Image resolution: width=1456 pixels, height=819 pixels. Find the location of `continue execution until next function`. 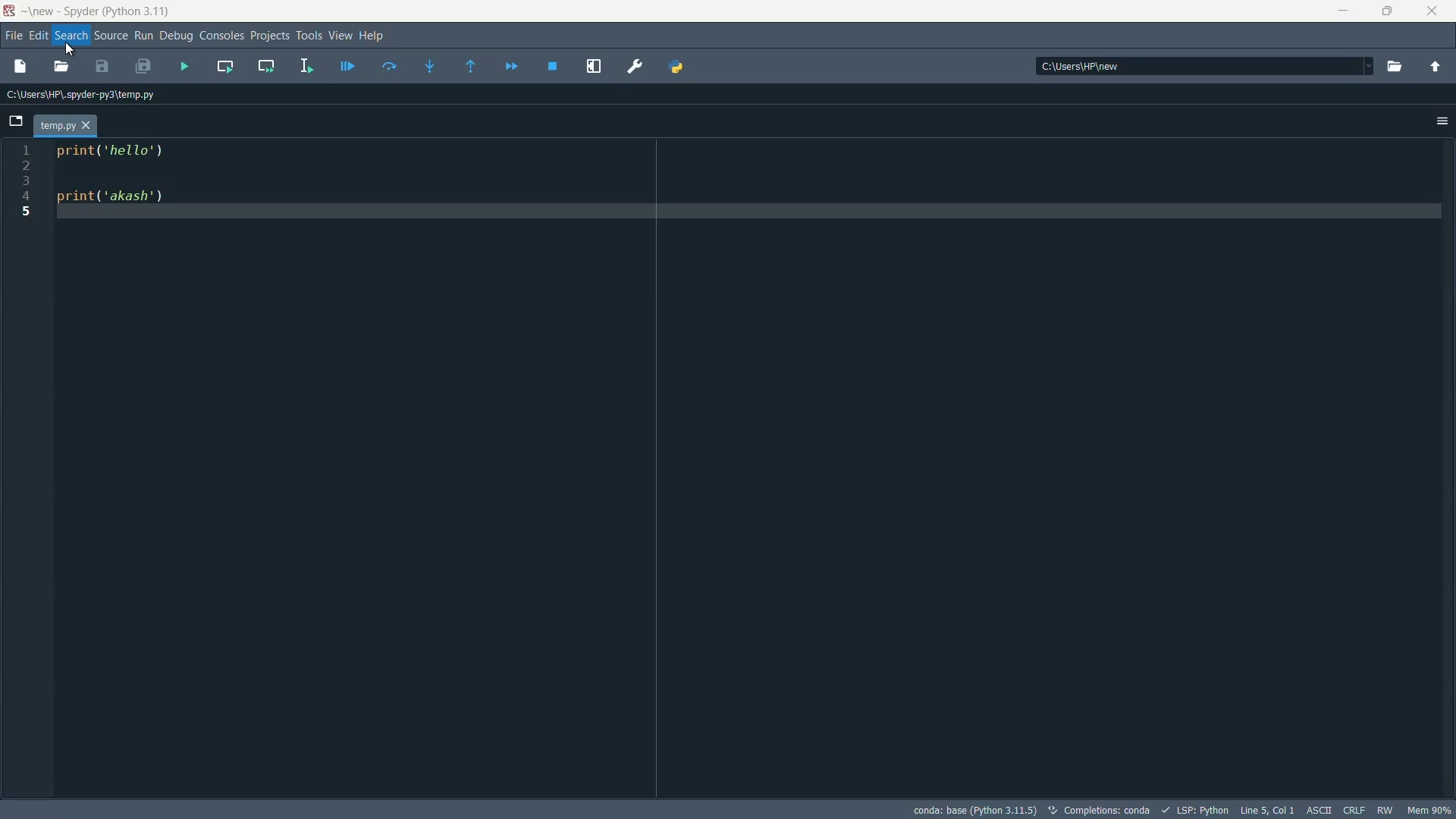

continue execution until next function is located at coordinates (471, 66).